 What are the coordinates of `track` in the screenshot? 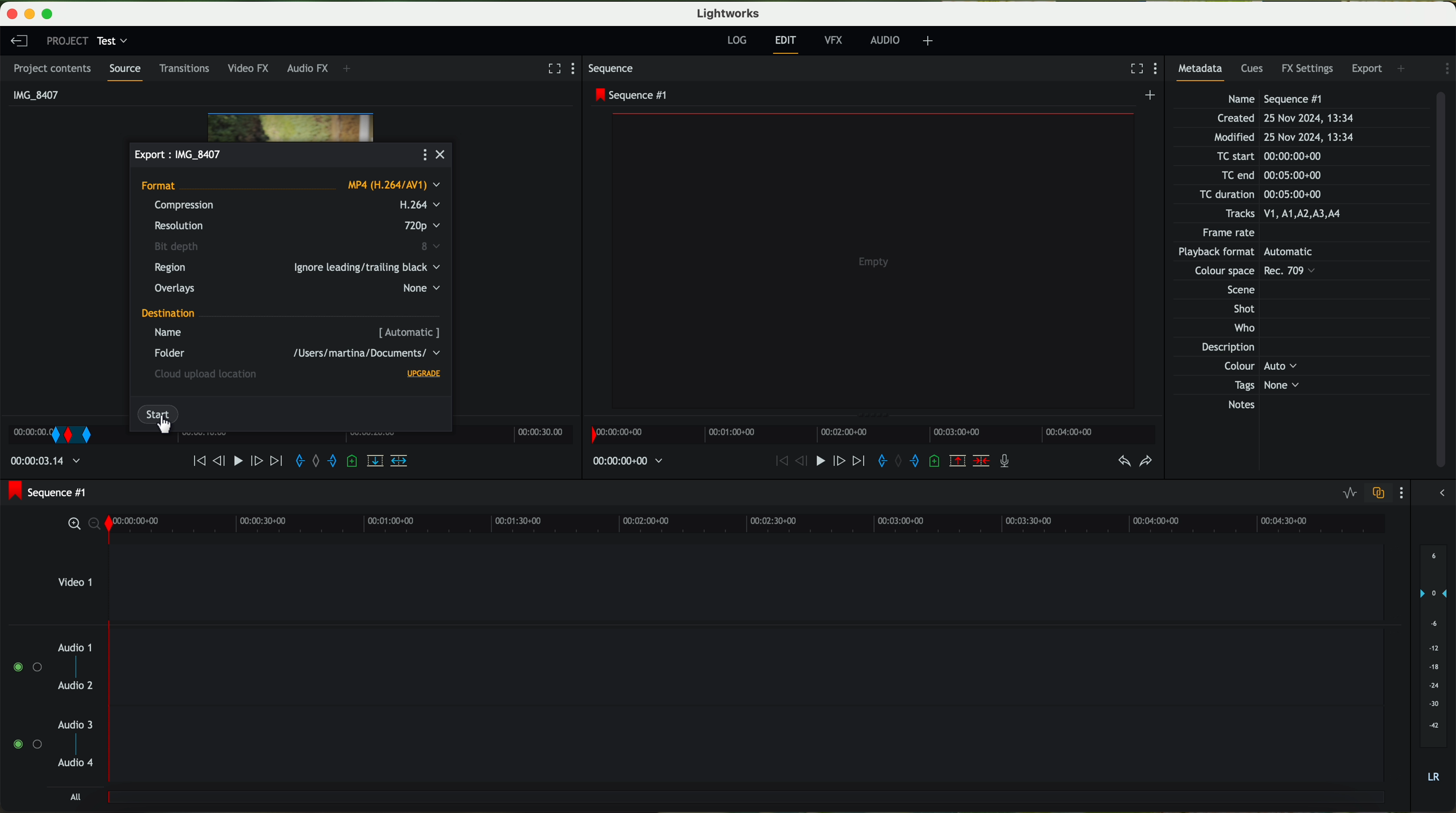 It's located at (749, 746).